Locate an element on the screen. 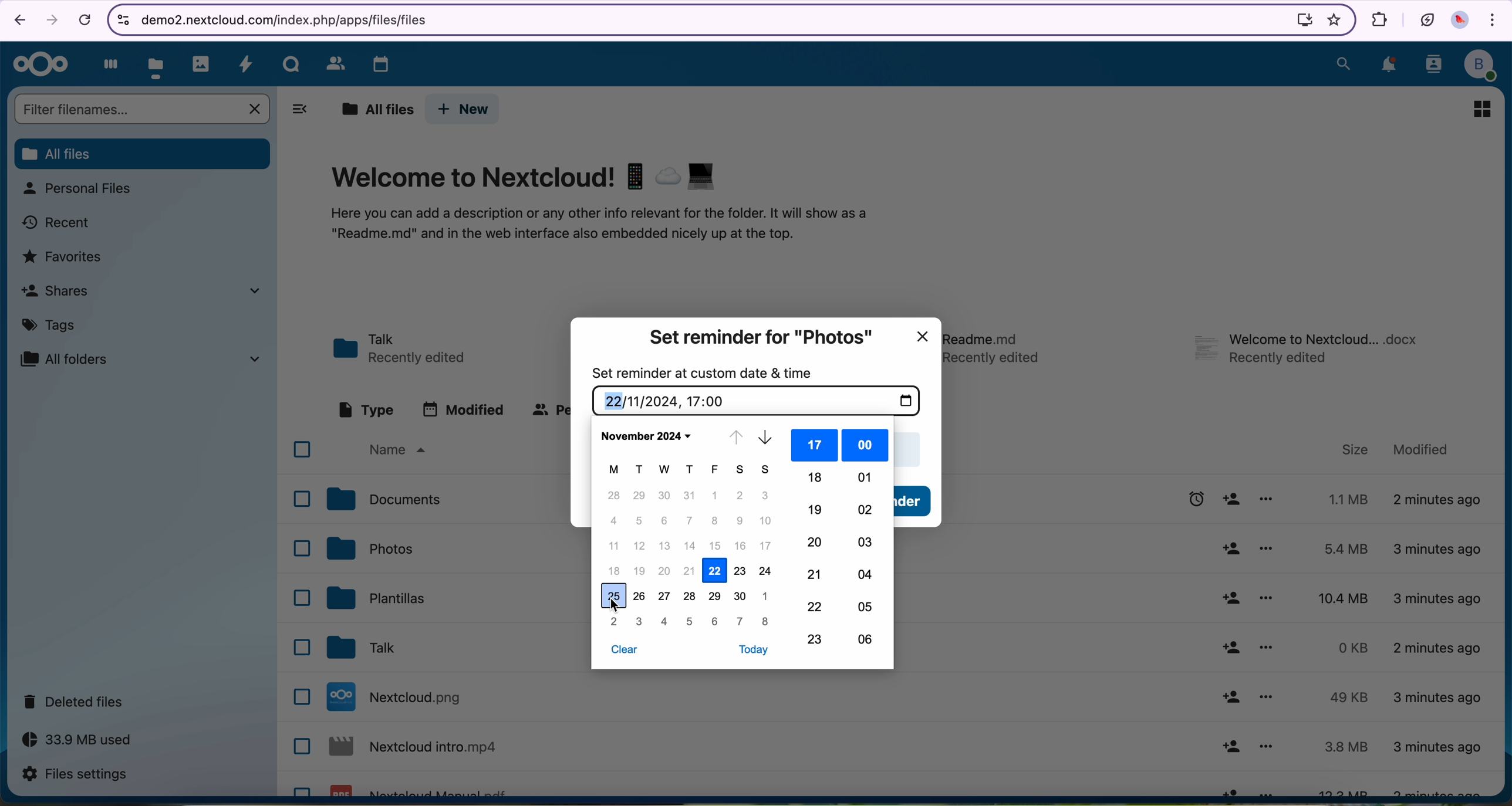  hide tabs is located at coordinates (301, 110).